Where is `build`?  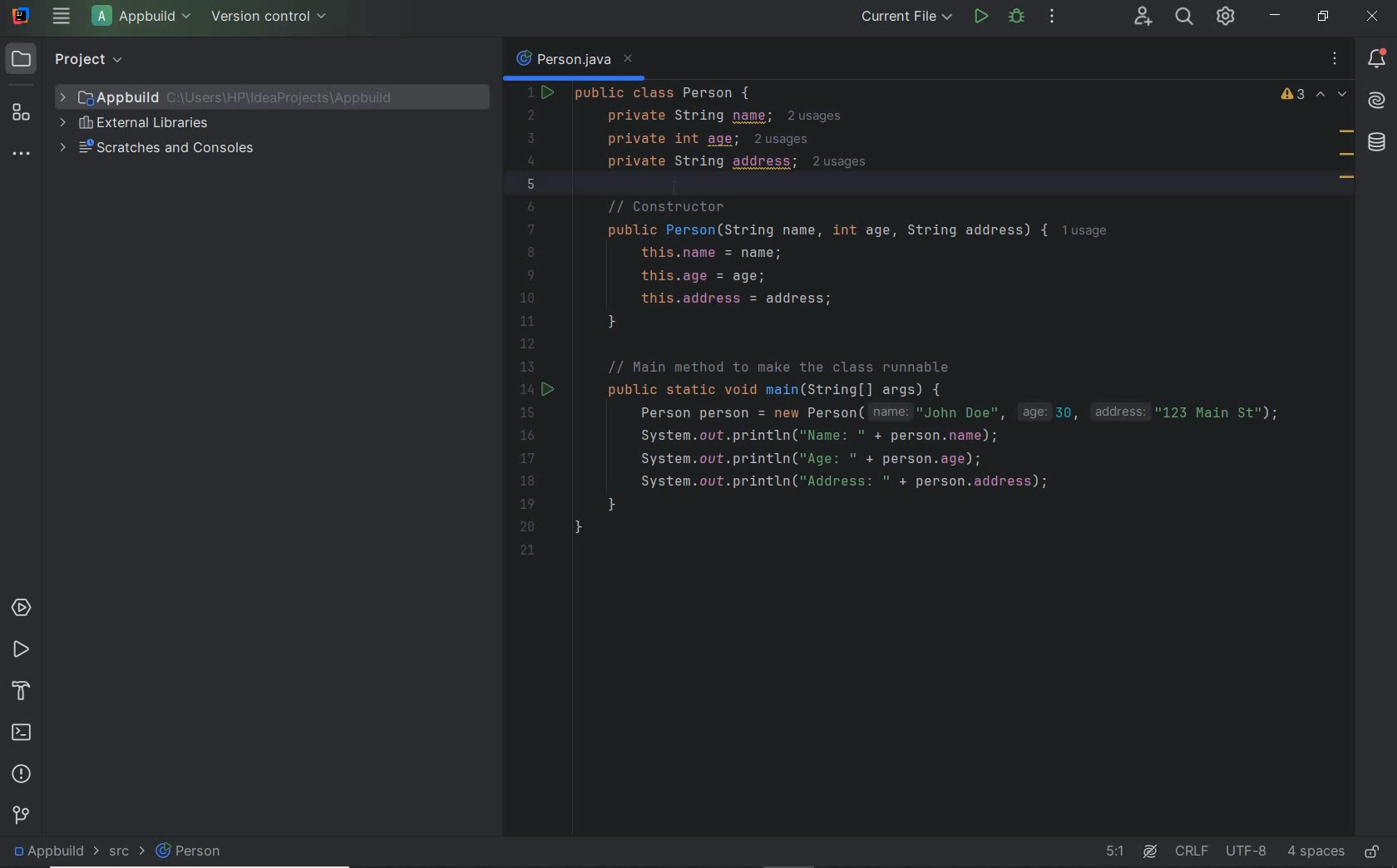
build is located at coordinates (22, 688).